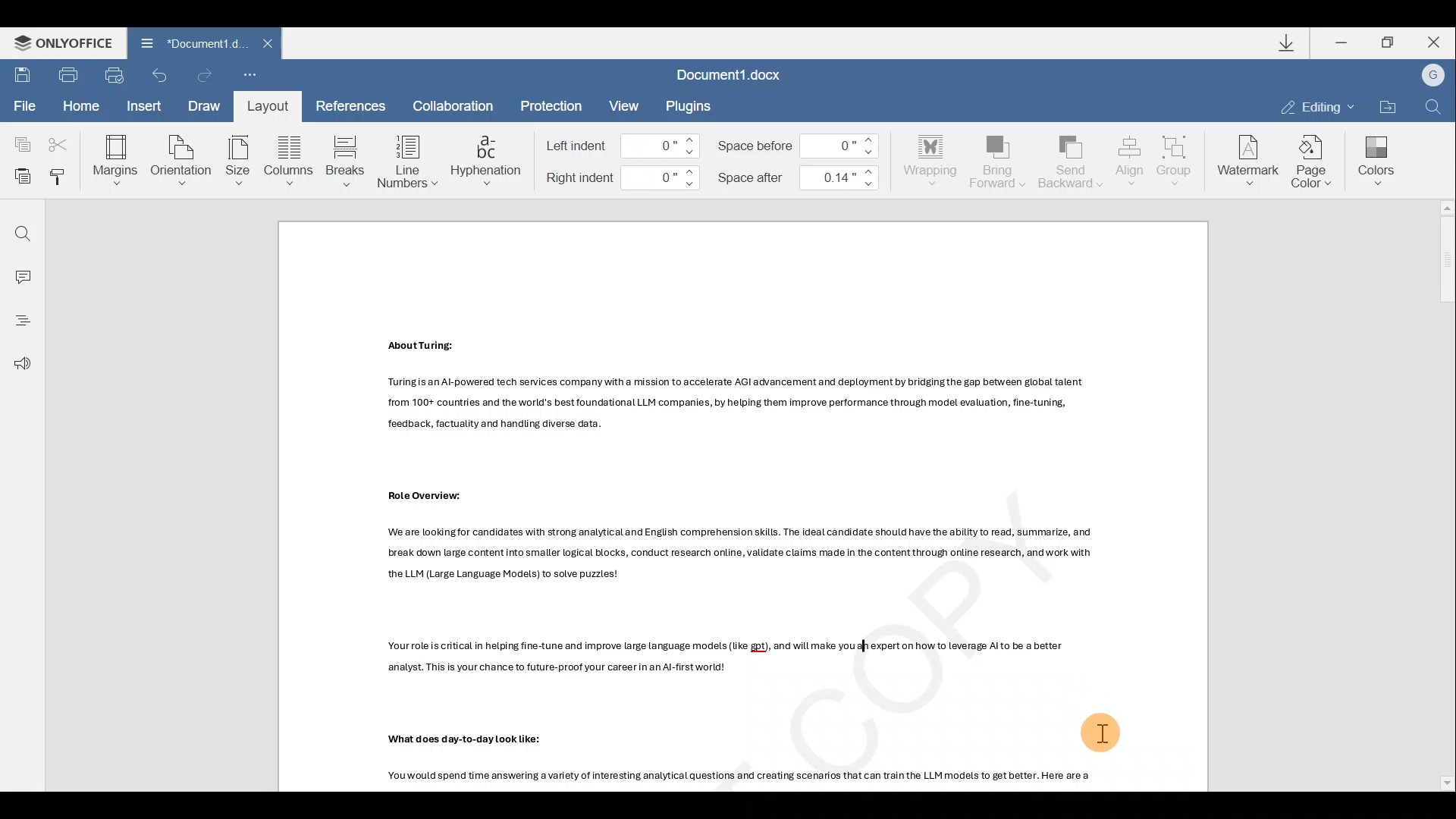 This screenshot has width=1456, height=819. I want to click on Close, so click(271, 43).